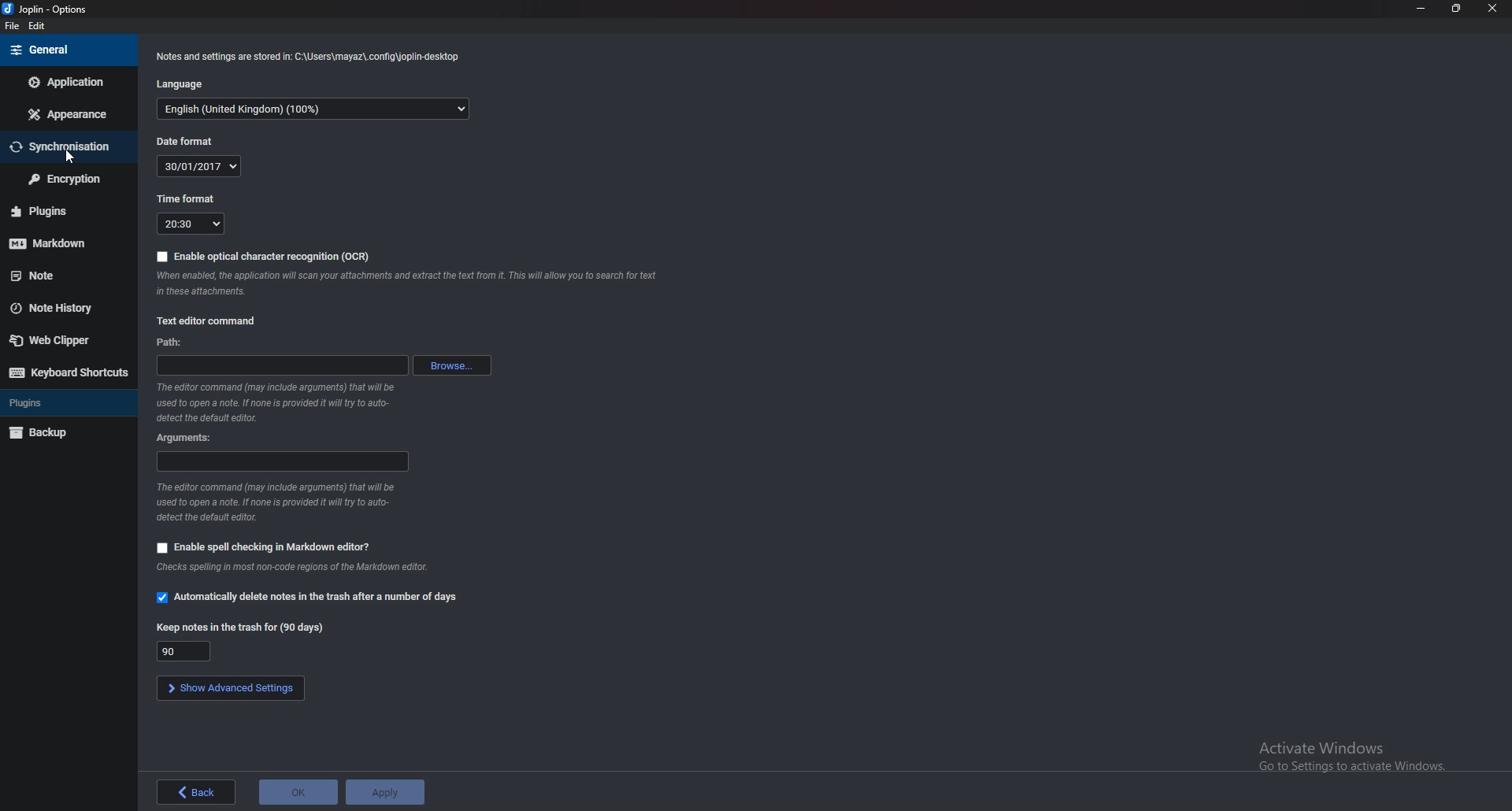 This screenshot has height=811, width=1512. I want to click on apply, so click(385, 792).